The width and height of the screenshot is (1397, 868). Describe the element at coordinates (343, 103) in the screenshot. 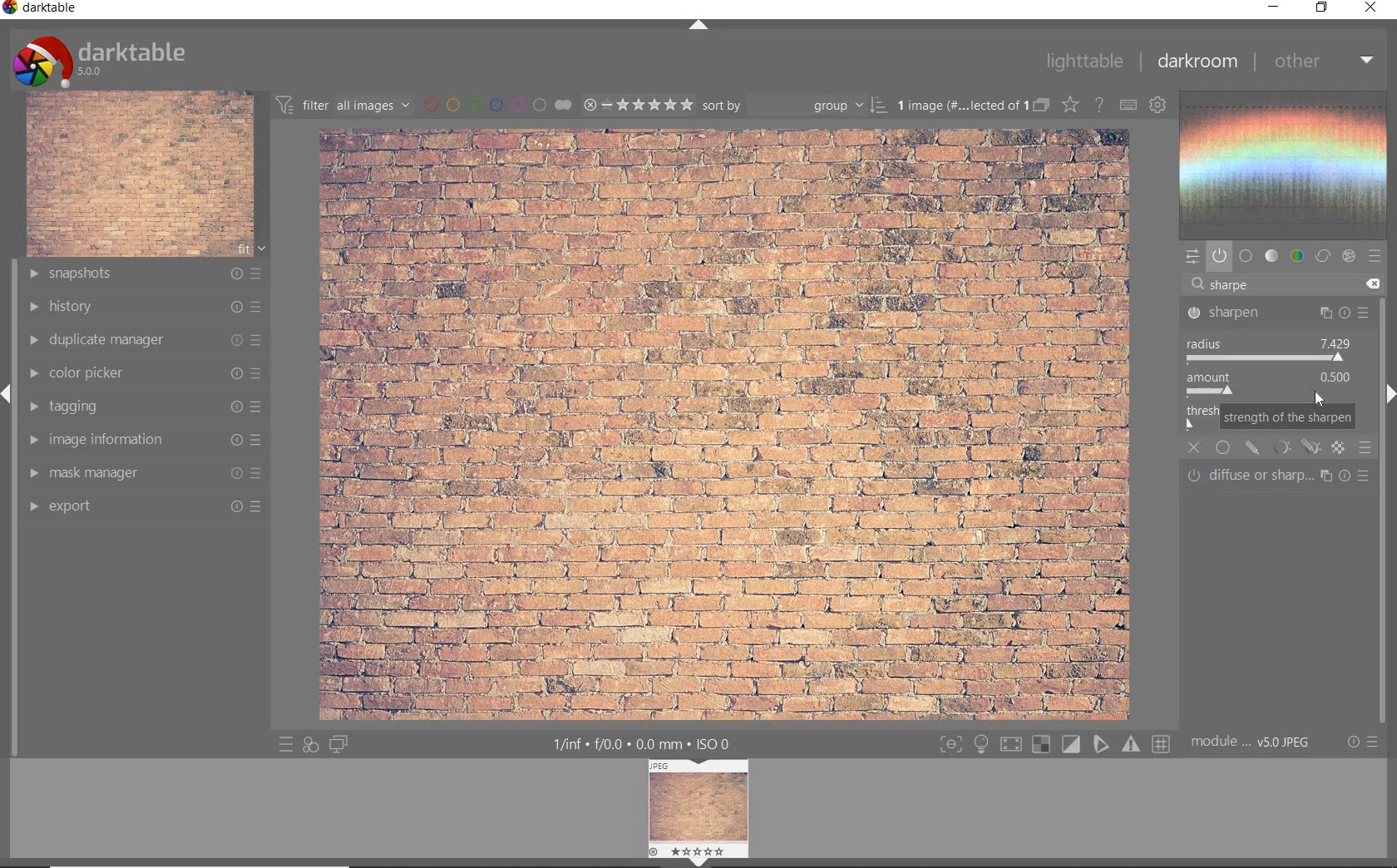

I see `filter all images` at that location.